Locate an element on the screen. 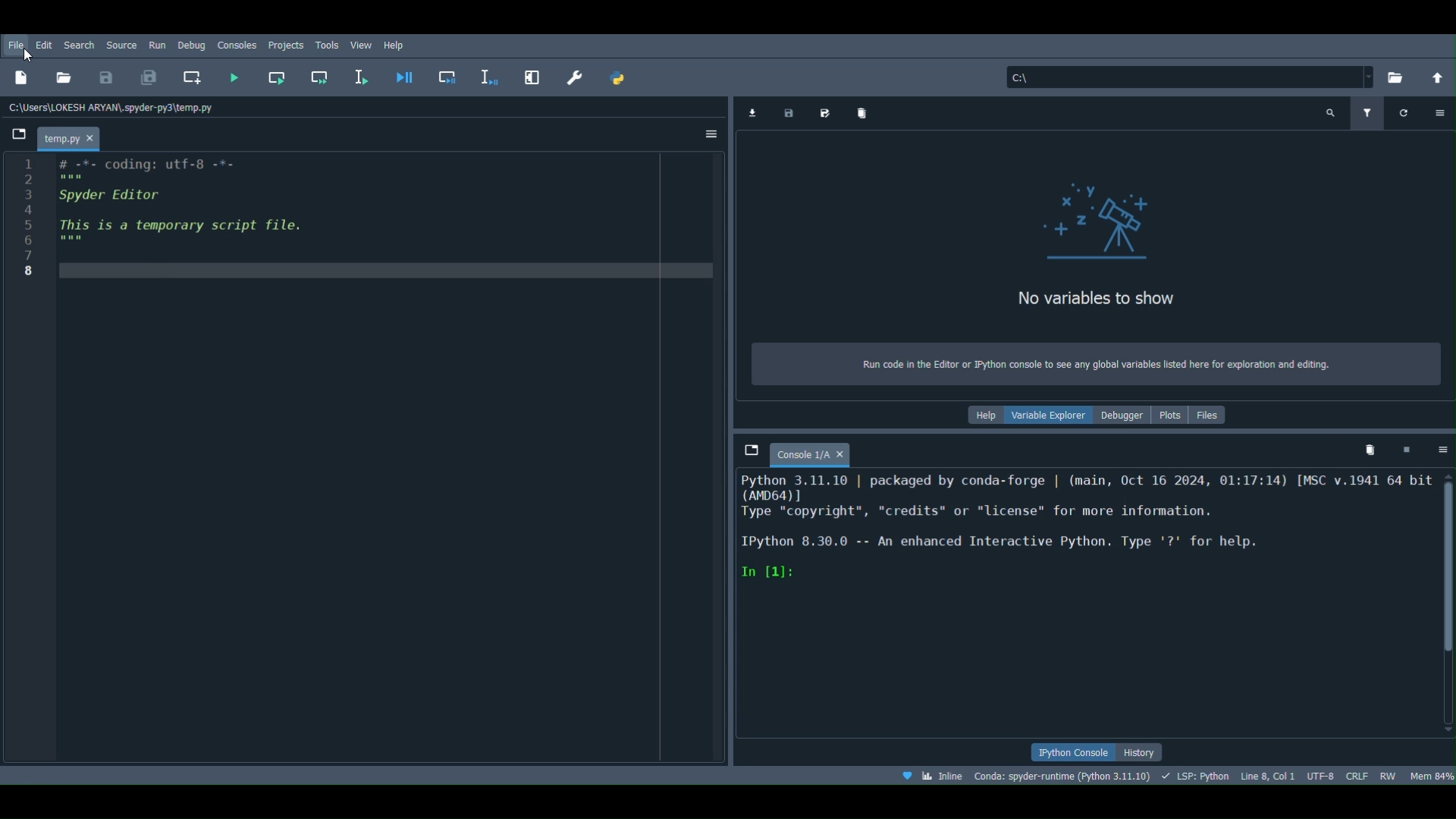 This screenshot has width=1456, height=819. close is located at coordinates (95, 139).